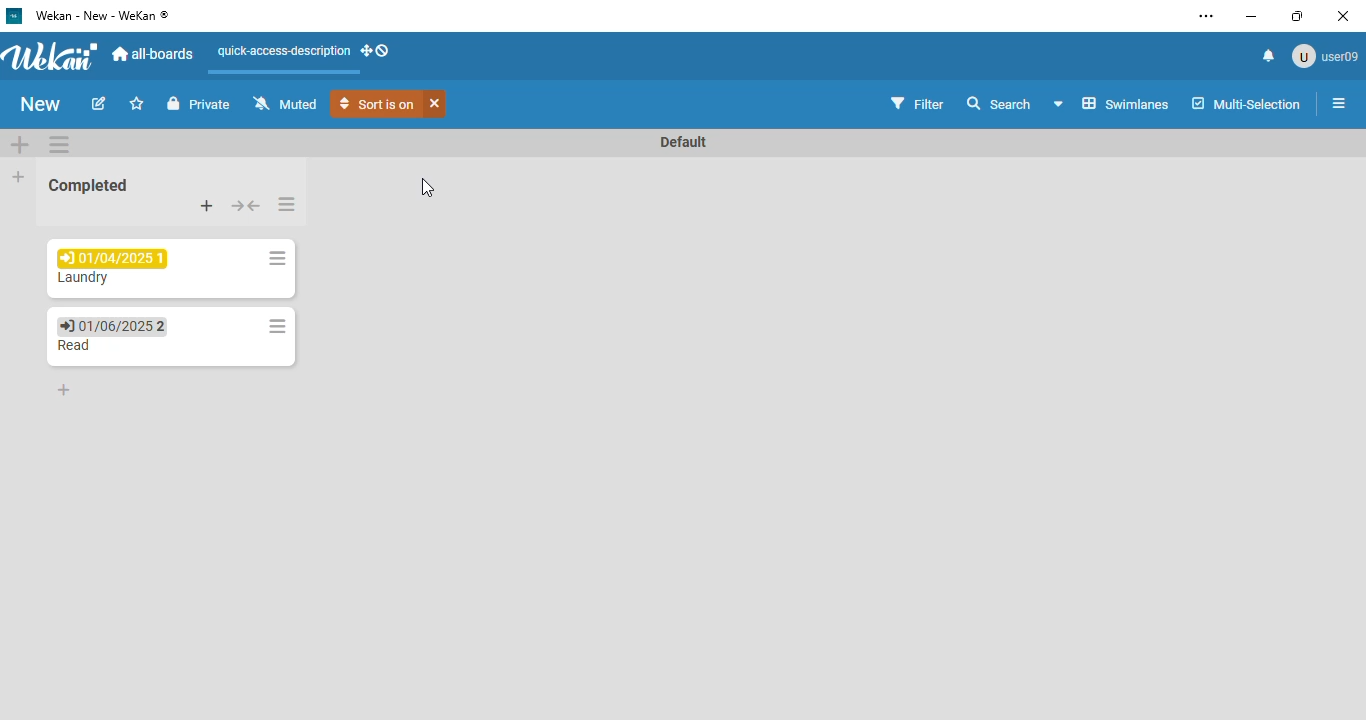 The image size is (1366, 720). Describe the element at coordinates (102, 104) in the screenshot. I see `Edit` at that location.